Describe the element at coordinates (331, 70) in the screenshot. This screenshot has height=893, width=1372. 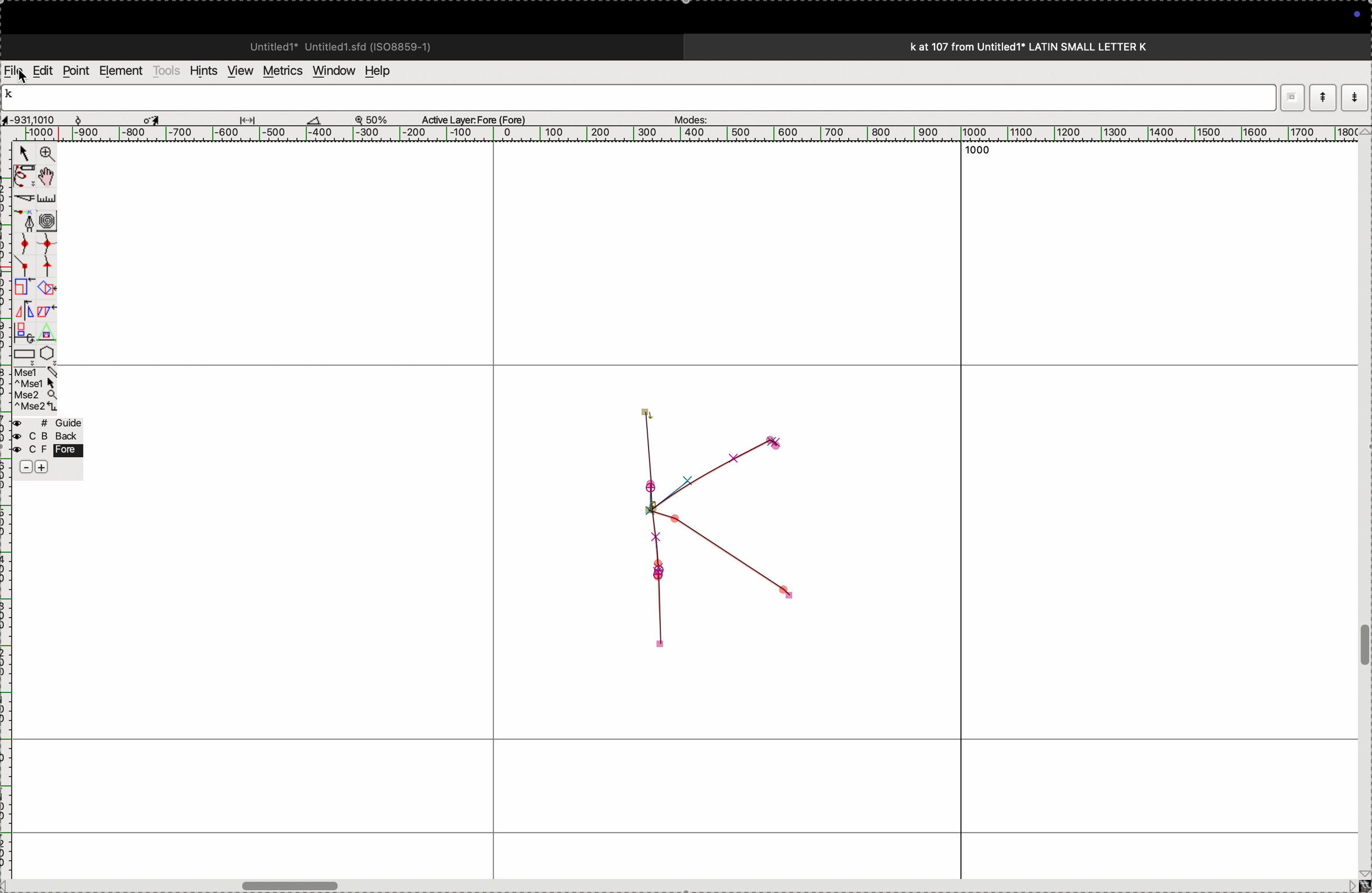
I see `window` at that location.